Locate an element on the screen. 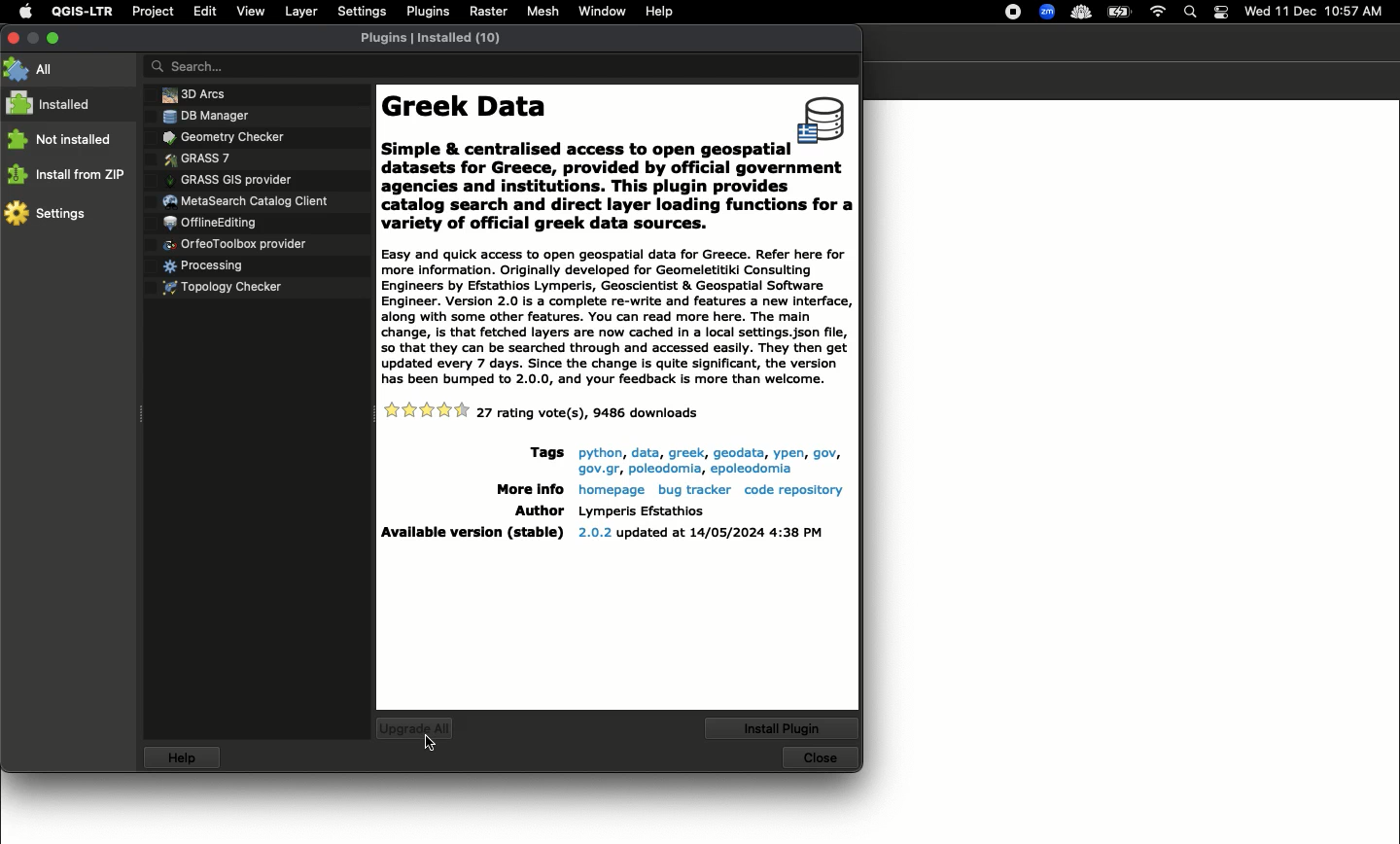 The height and width of the screenshot is (844, 1400). Search is located at coordinates (500, 68).